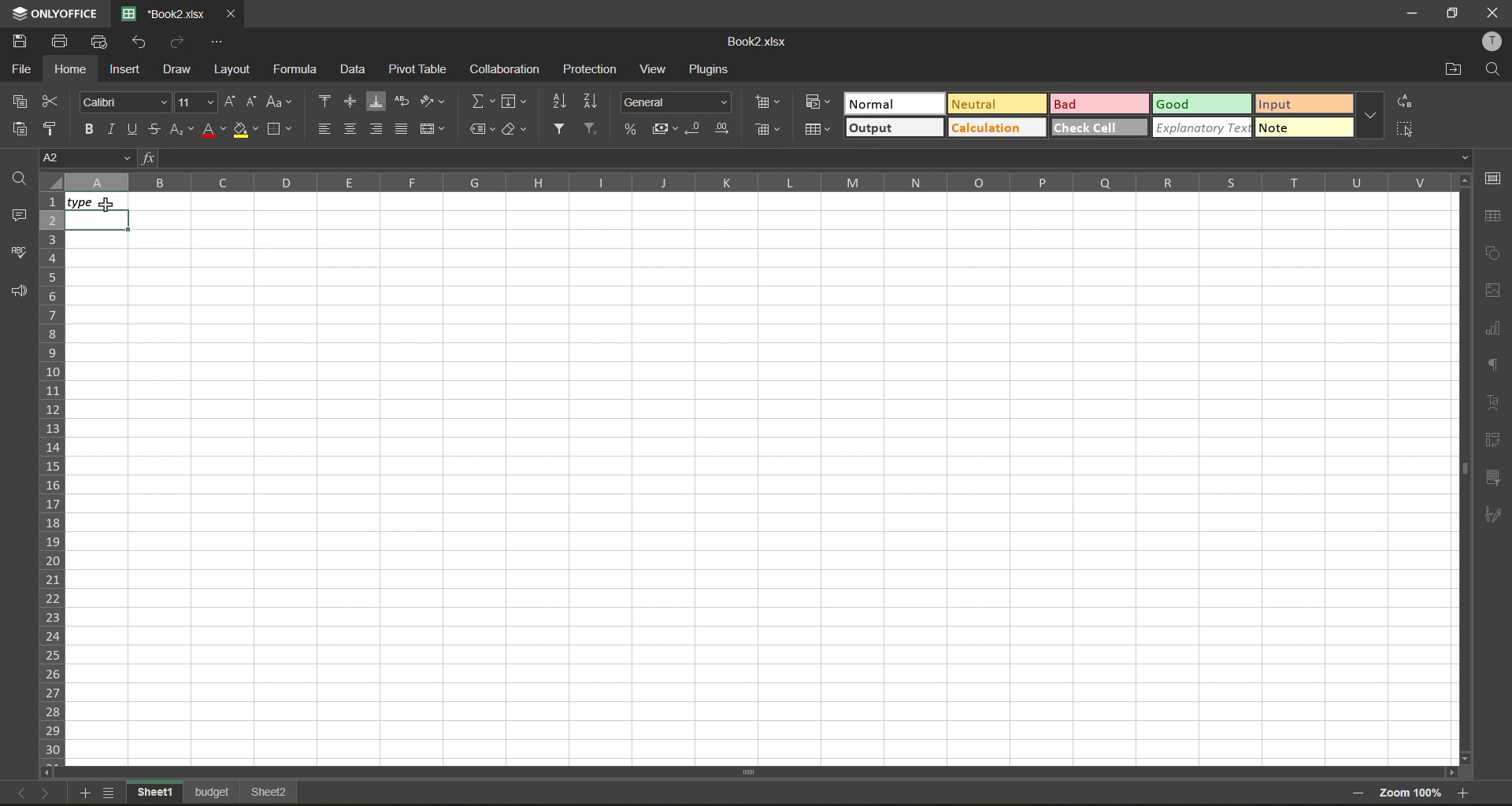  I want to click on Book2.xlsx, so click(759, 40).